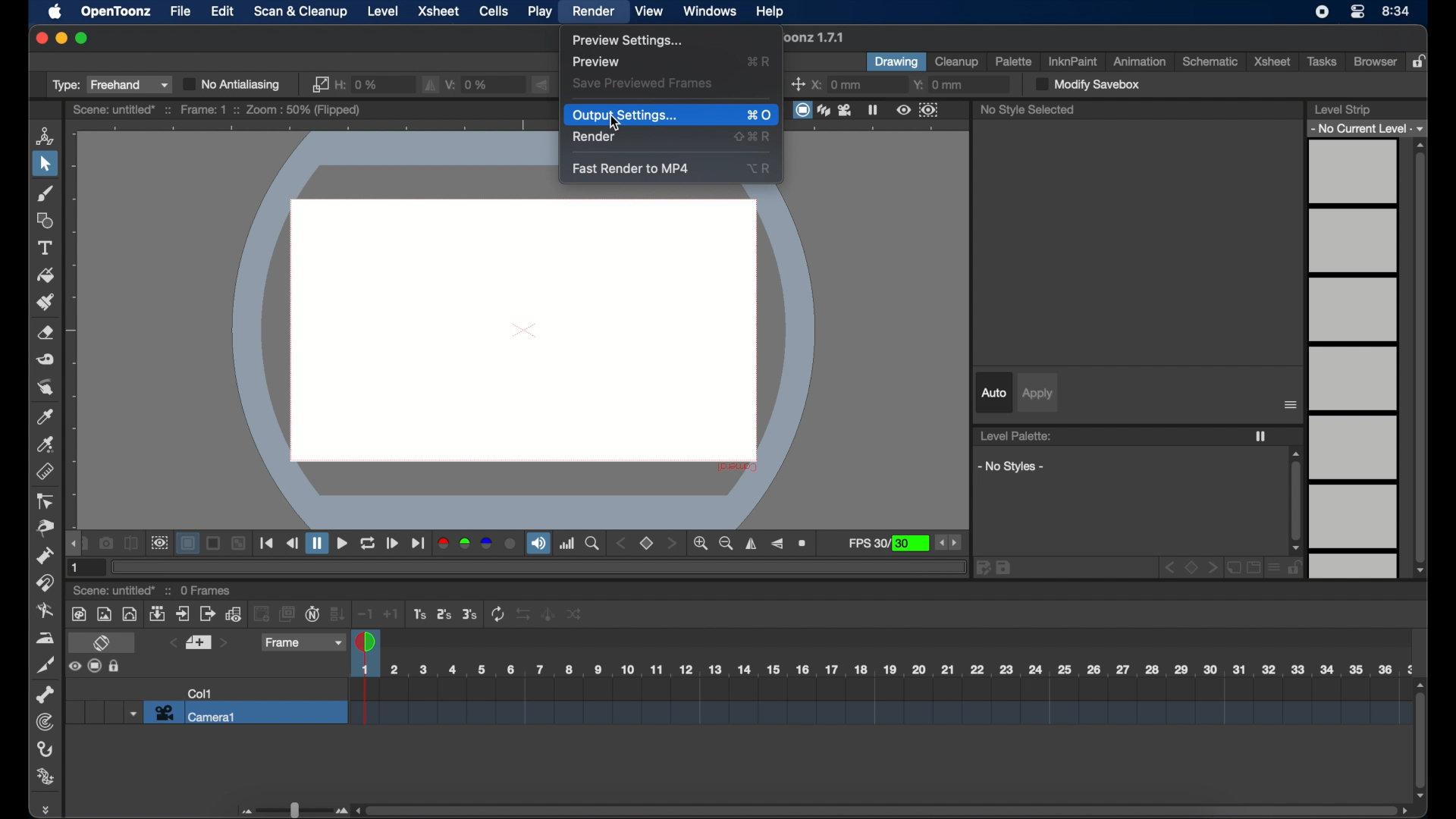  I want to click on , so click(240, 544).